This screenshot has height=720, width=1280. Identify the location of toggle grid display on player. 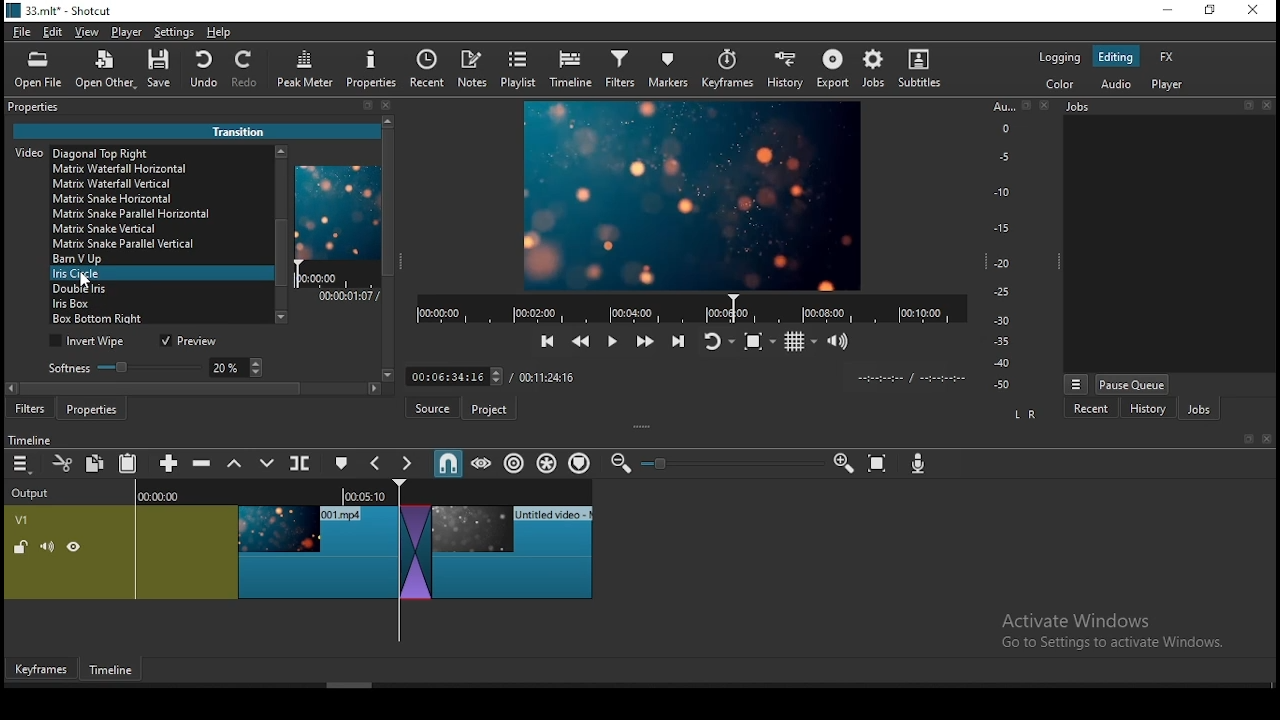
(803, 339).